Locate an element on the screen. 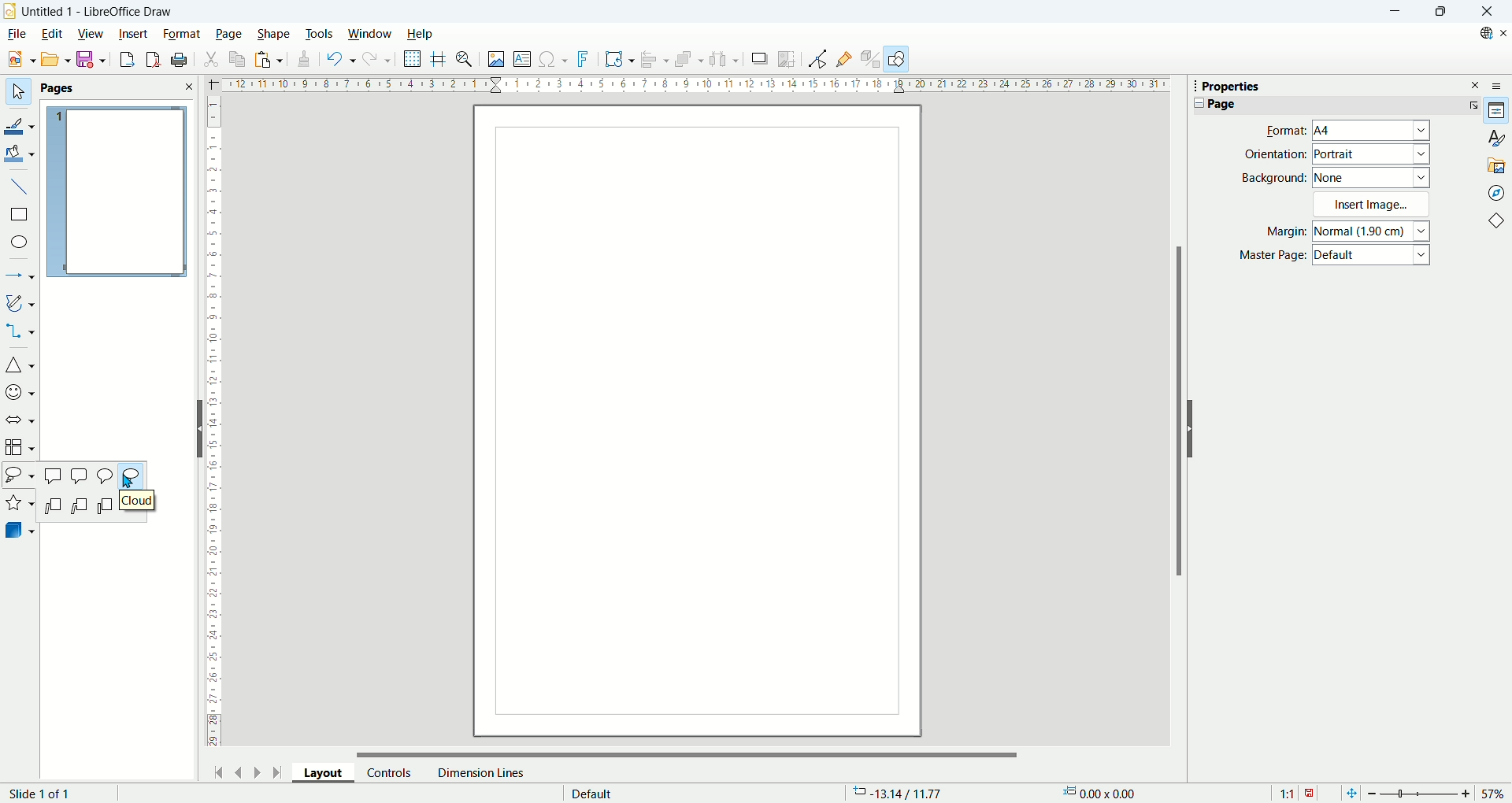 This screenshot has width=1512, height=803. shadow is located at coordinates (759, 59).